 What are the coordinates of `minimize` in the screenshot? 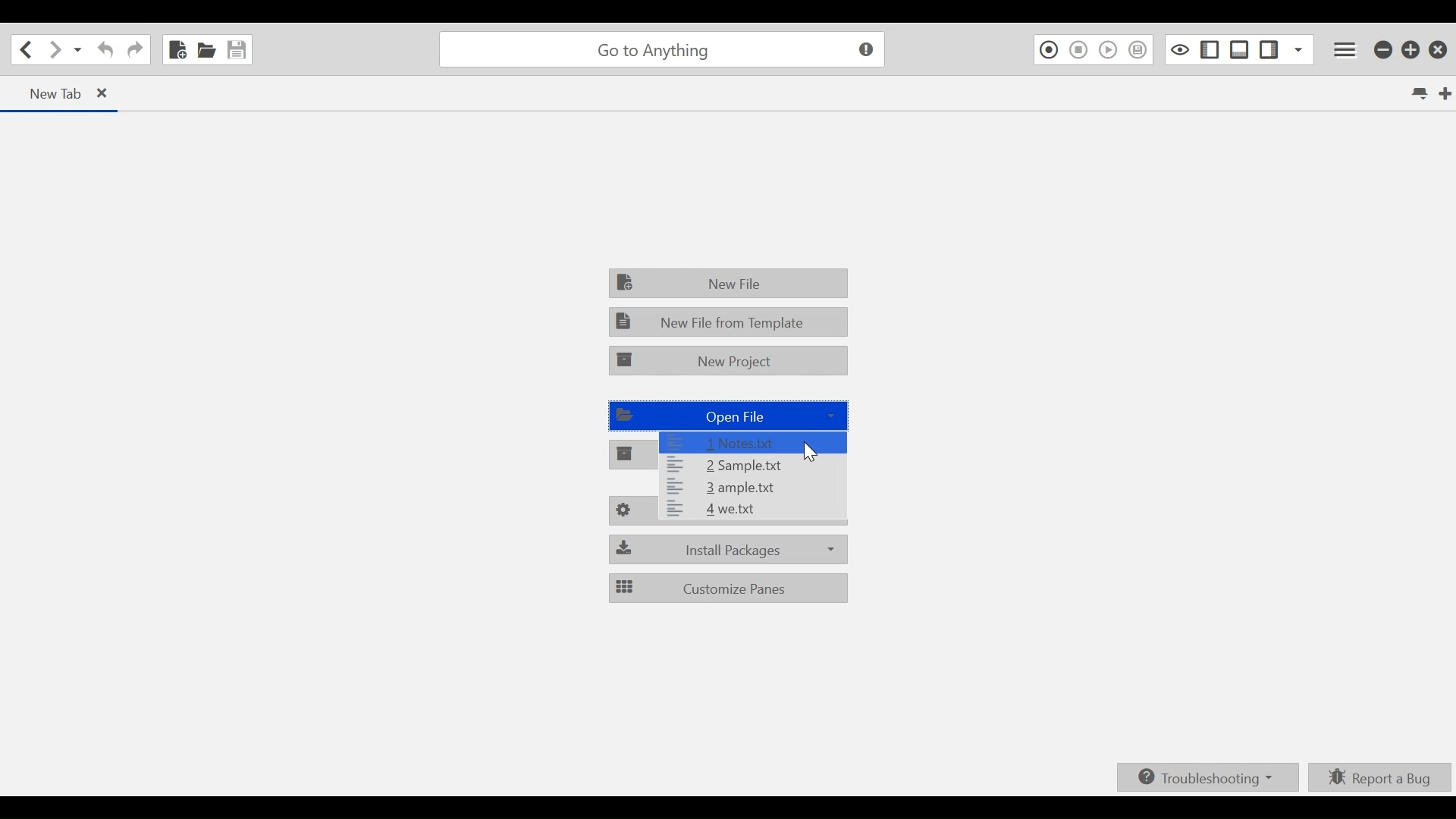 It's located at (1384, 51).